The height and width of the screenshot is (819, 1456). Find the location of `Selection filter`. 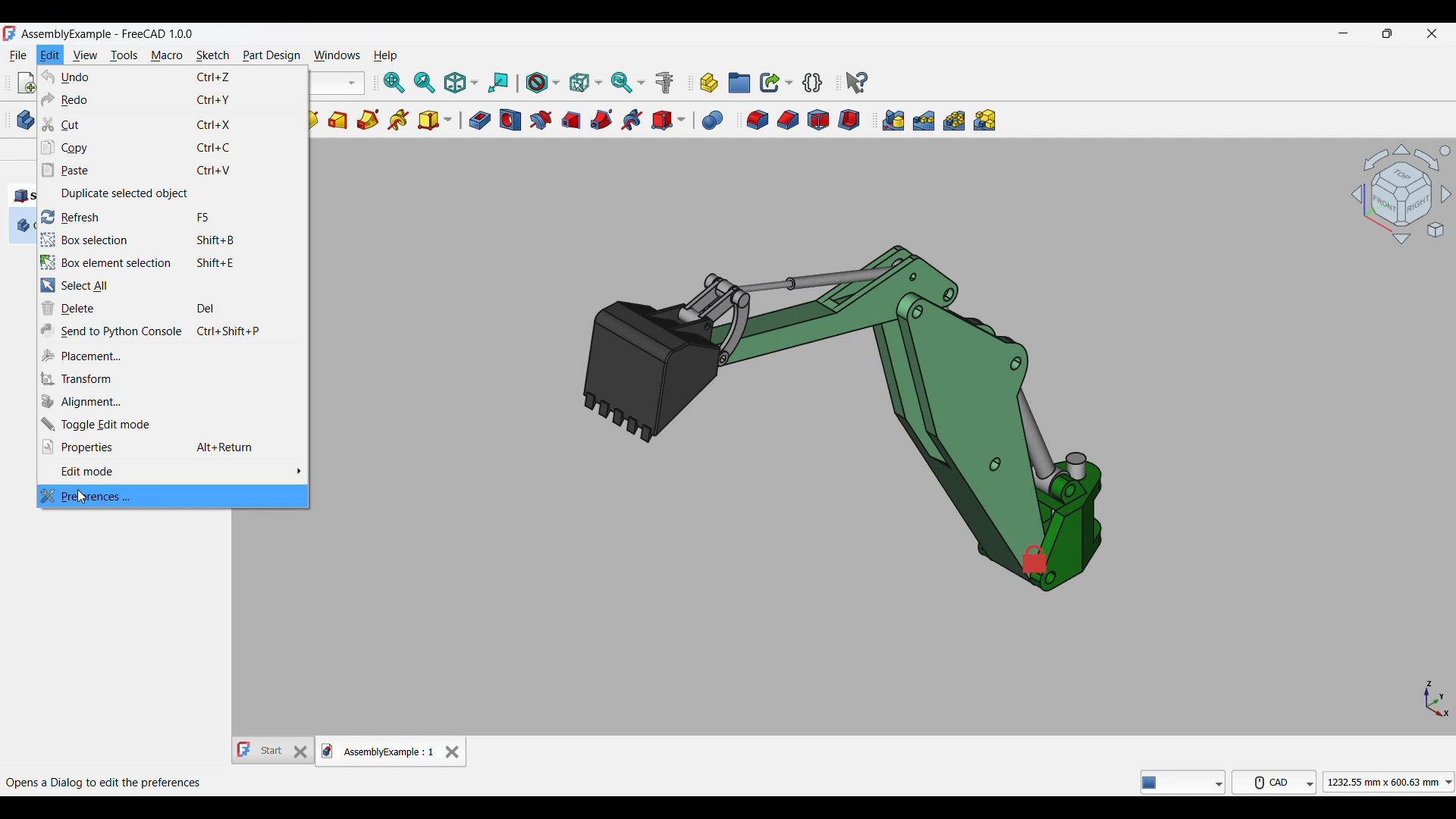

Selection filter is located at coordinates (585, 83).